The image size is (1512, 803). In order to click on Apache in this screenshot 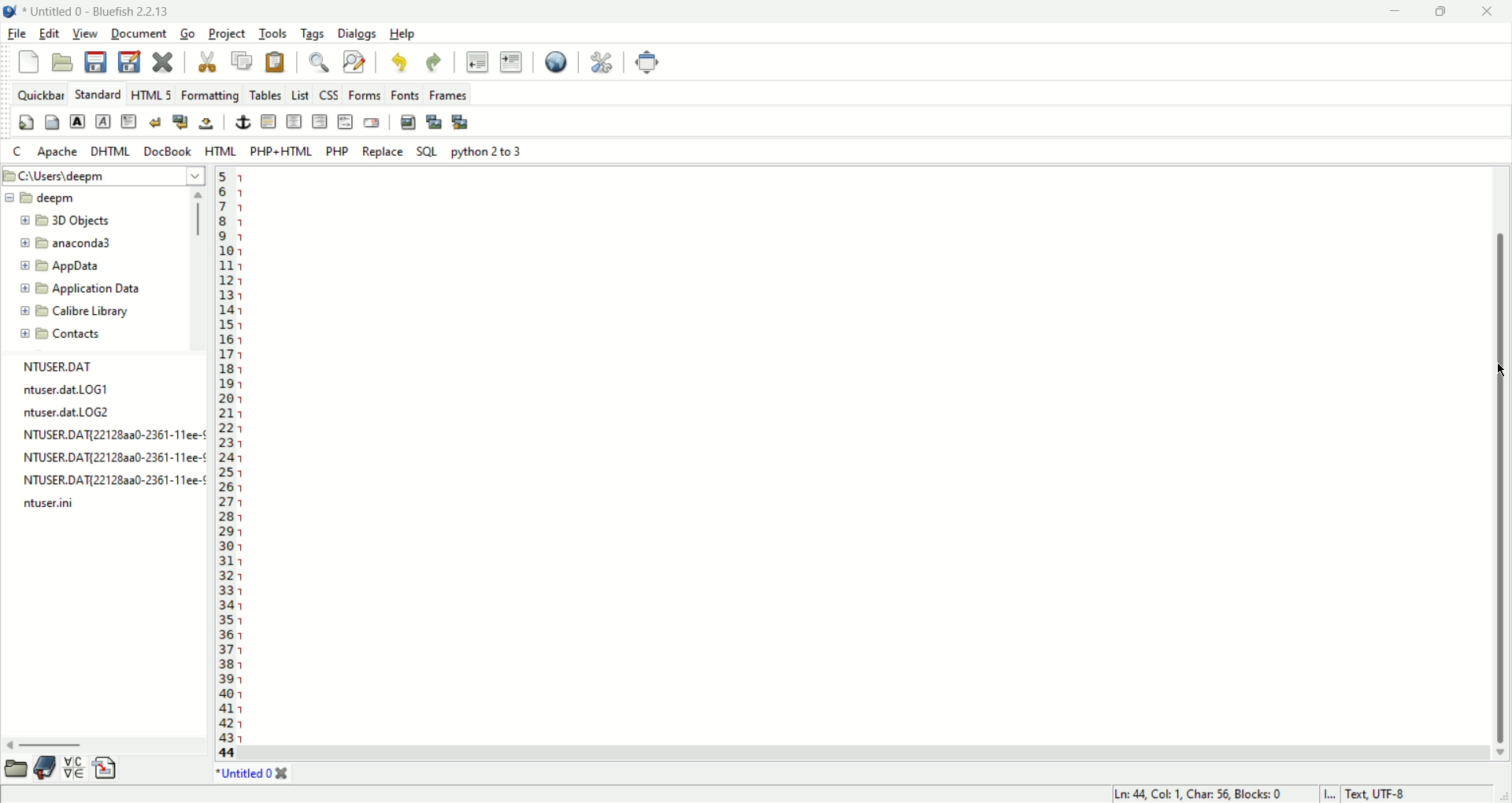, I will do `click(57, 152)`.